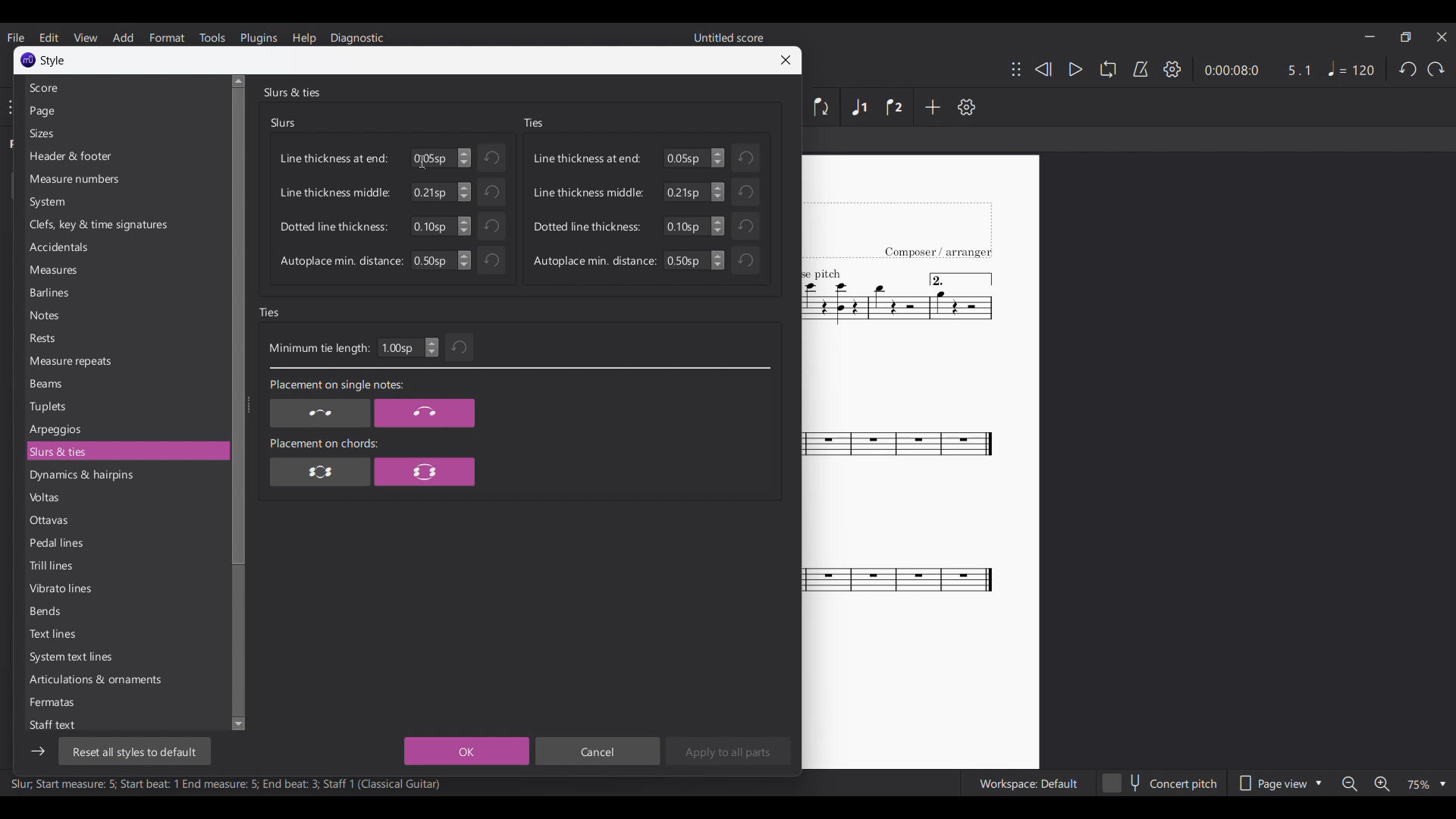 This screenshot has width=1456, height=819. What do you see at coordinates (588, 158) in the screenshot?
I see `Line thickness at end` at bounding box center [588, 158].